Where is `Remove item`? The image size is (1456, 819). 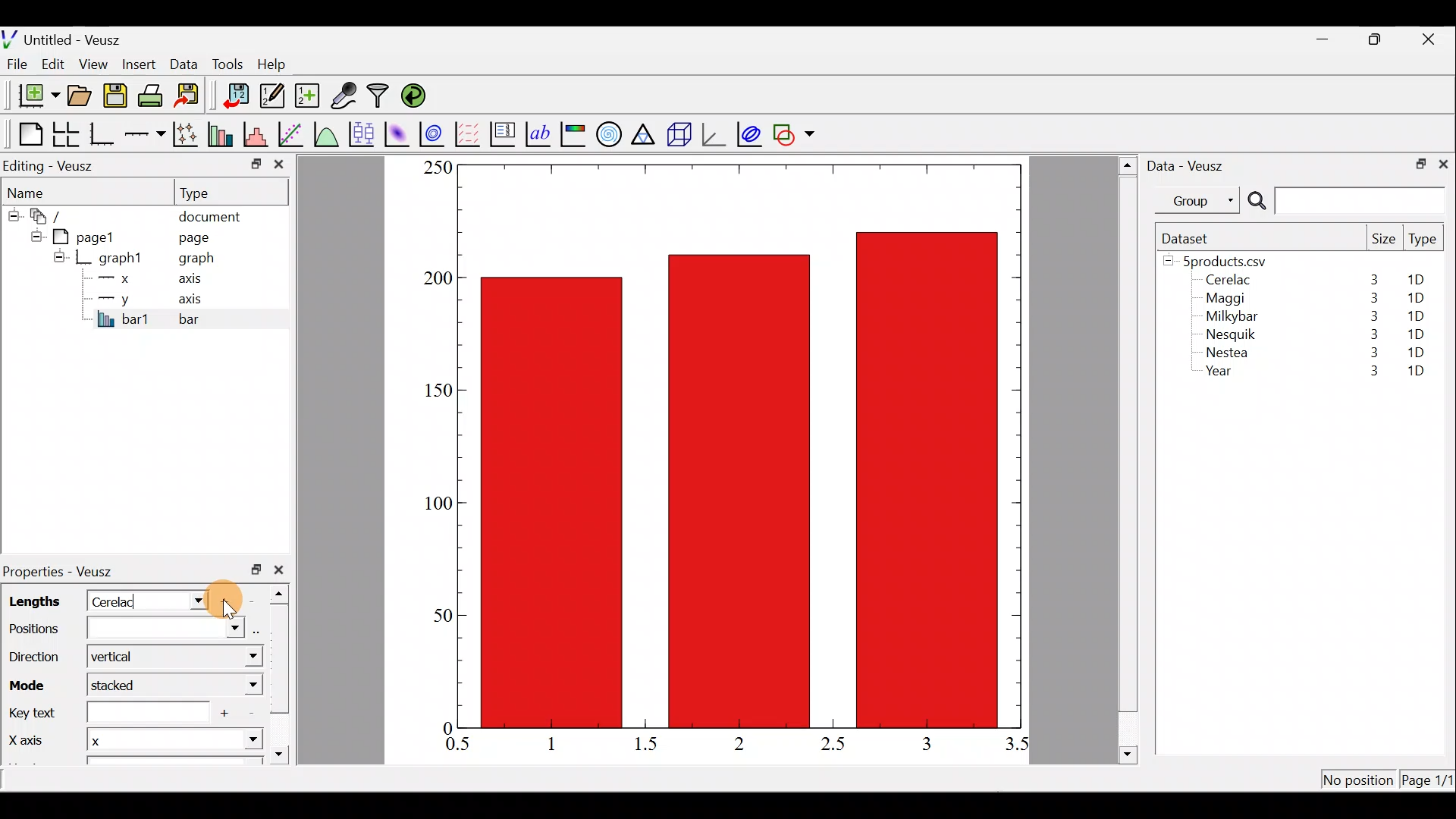 Remove item is located at coordinates (251, 714).